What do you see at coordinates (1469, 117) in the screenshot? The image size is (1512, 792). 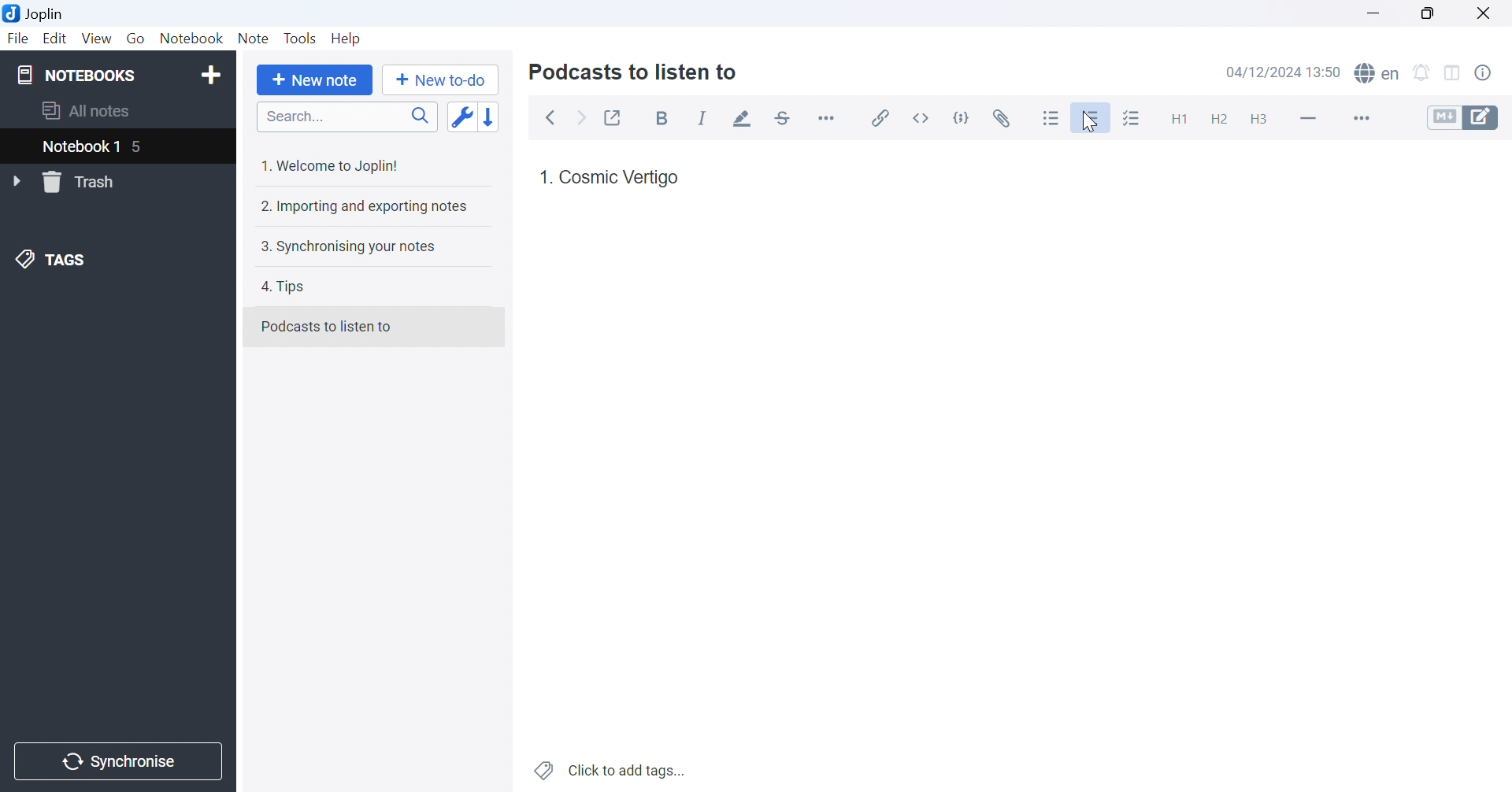 I see `Toggle editors` at bounding box center [1469, 117].